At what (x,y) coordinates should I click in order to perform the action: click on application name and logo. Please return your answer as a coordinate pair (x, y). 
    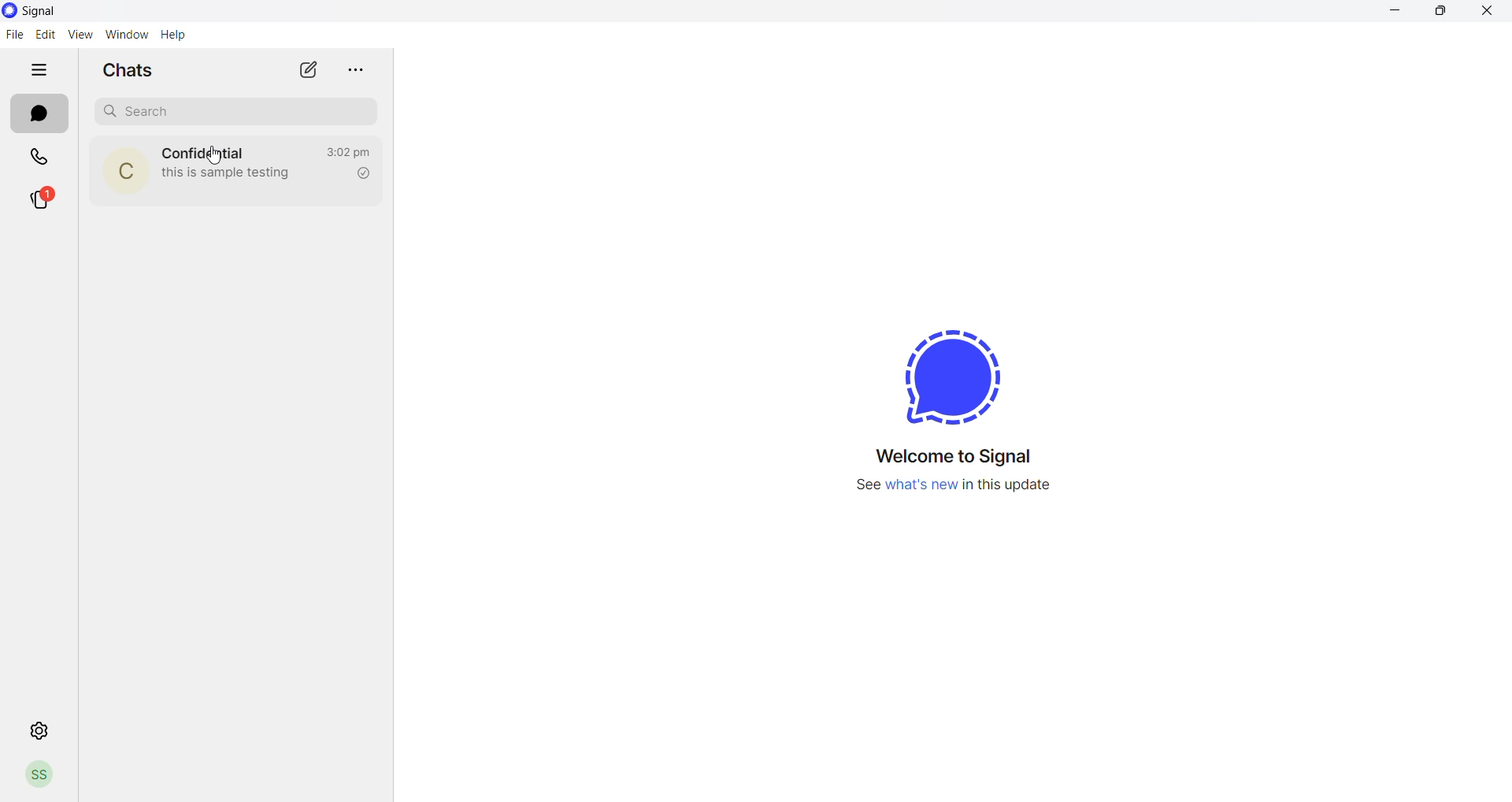
    Looking at the image, I should click on (39, 12).